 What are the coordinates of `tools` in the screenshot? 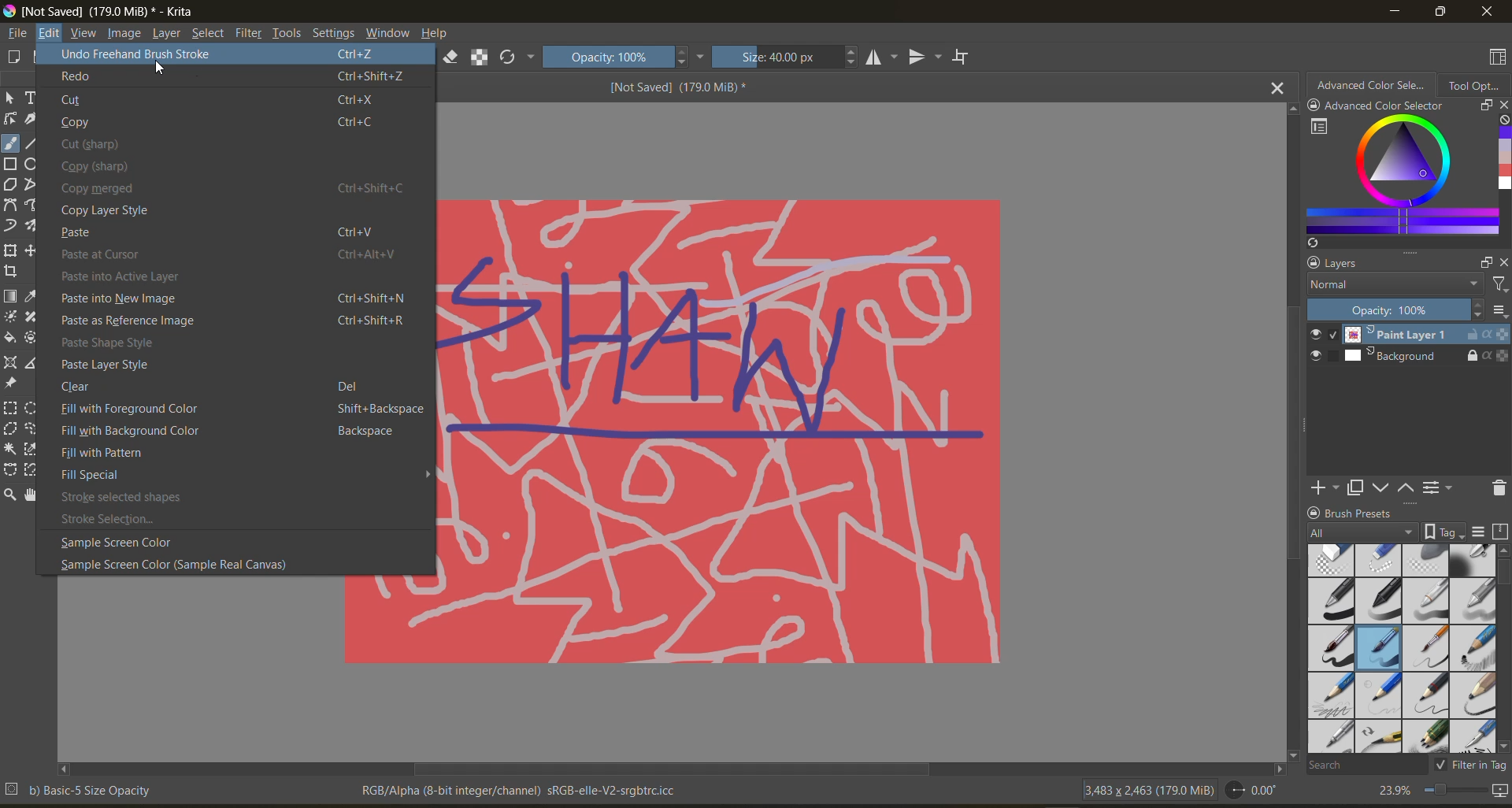 It's located at (288, 34).